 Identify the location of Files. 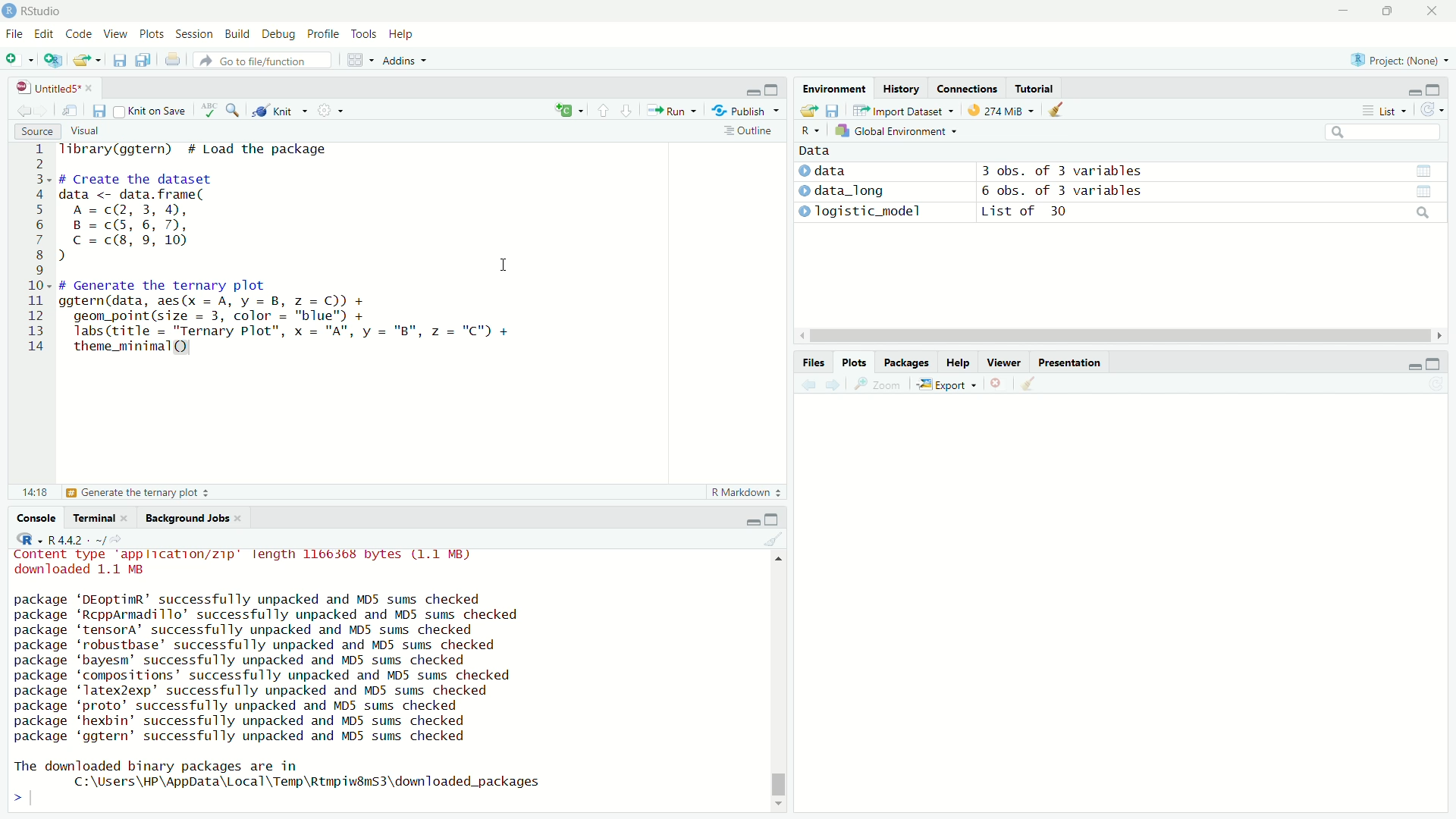
(805, 360).